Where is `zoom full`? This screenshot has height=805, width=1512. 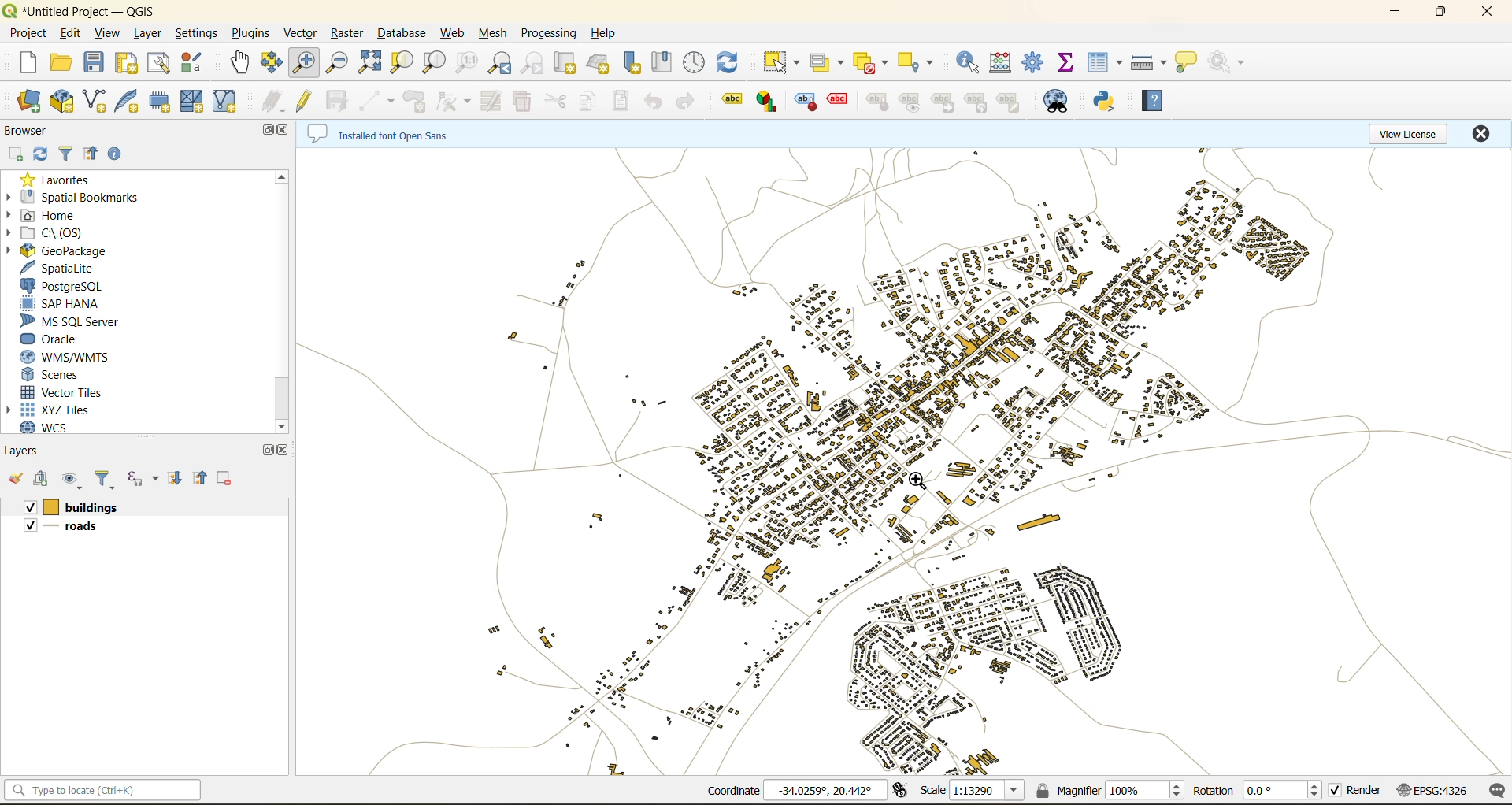
zoom full is located at coordinates (371, 63).